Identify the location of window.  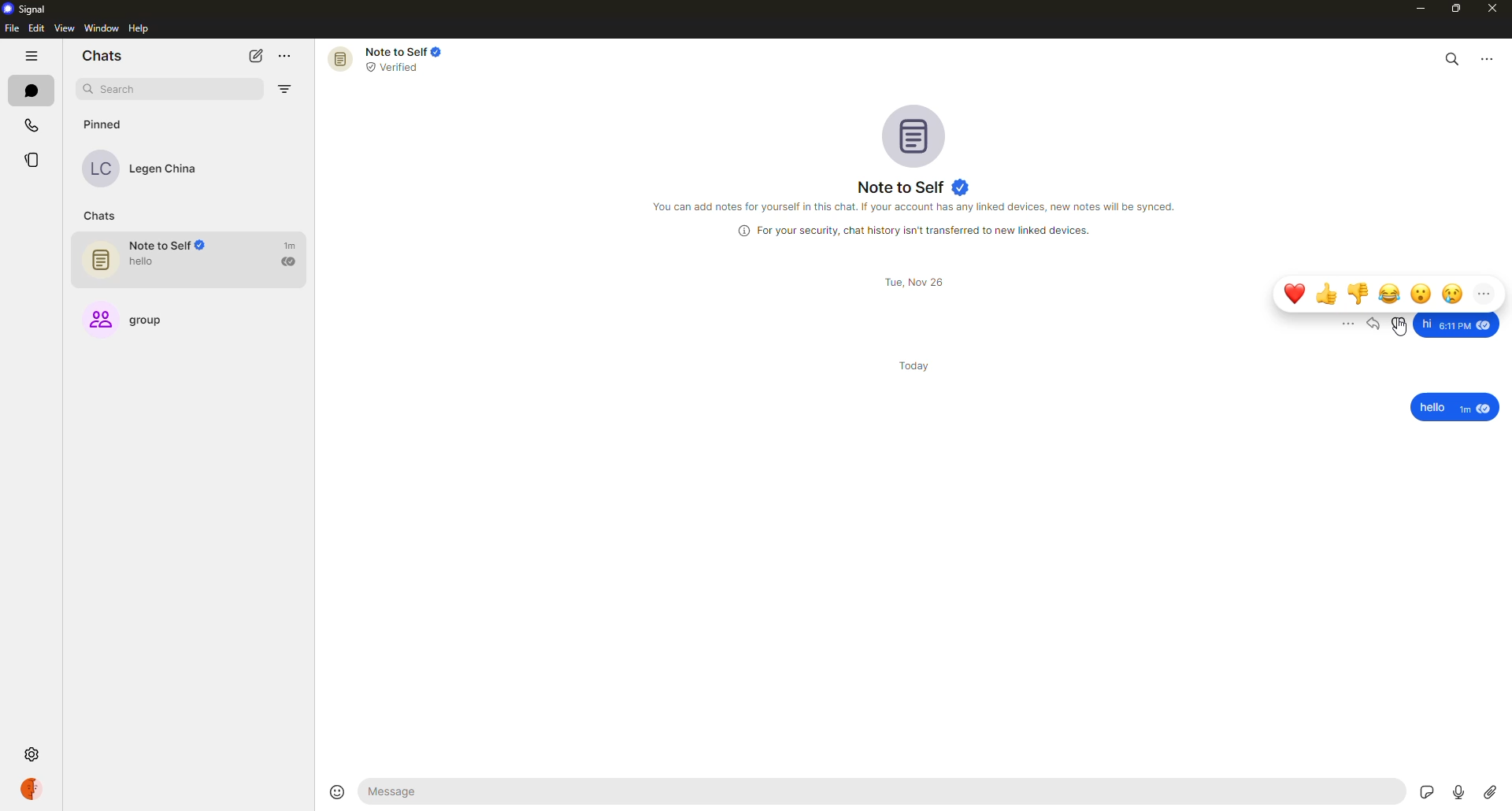
(103, 28).